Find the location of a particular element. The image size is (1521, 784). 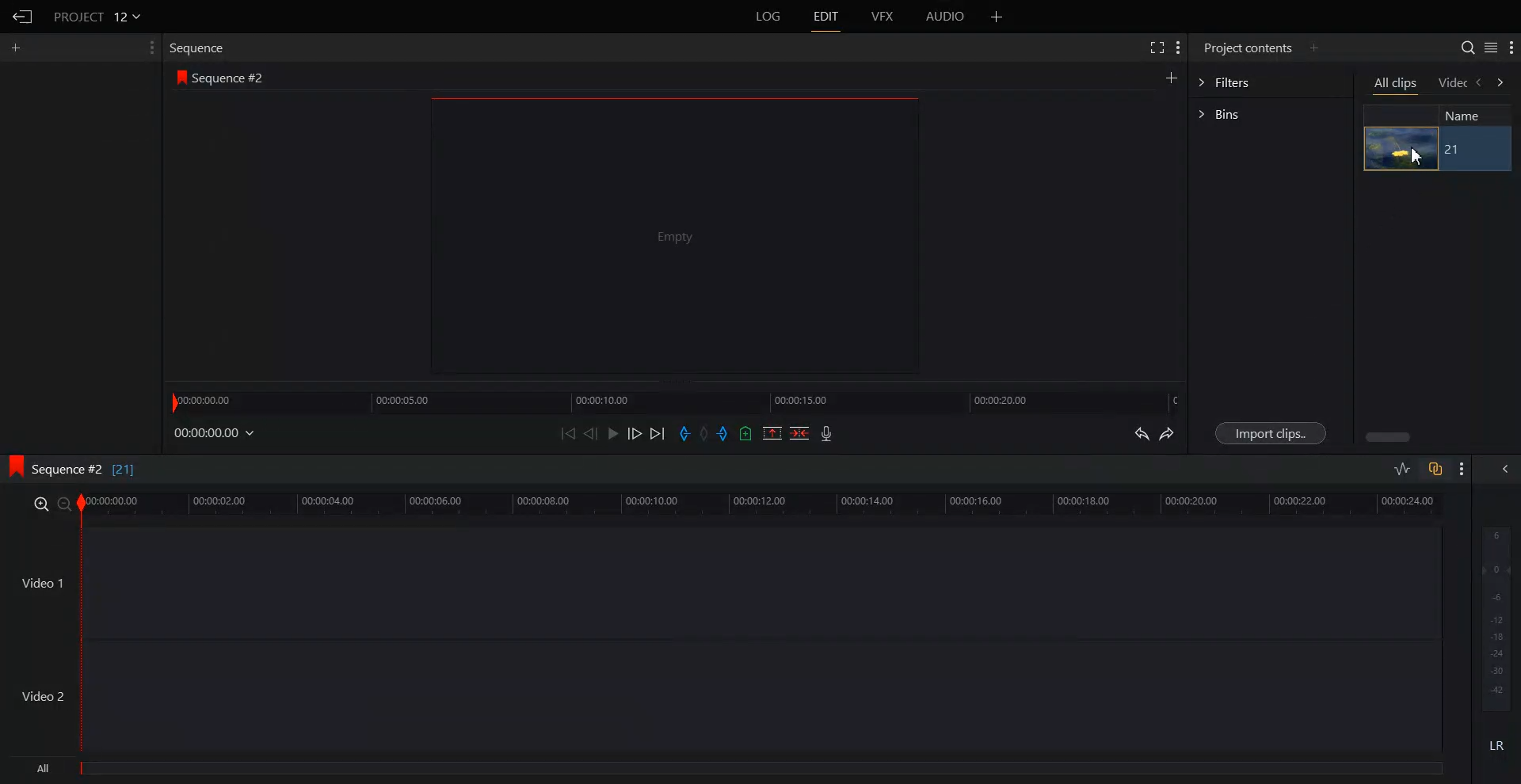

Timeline is located at coordinates (761, 504).